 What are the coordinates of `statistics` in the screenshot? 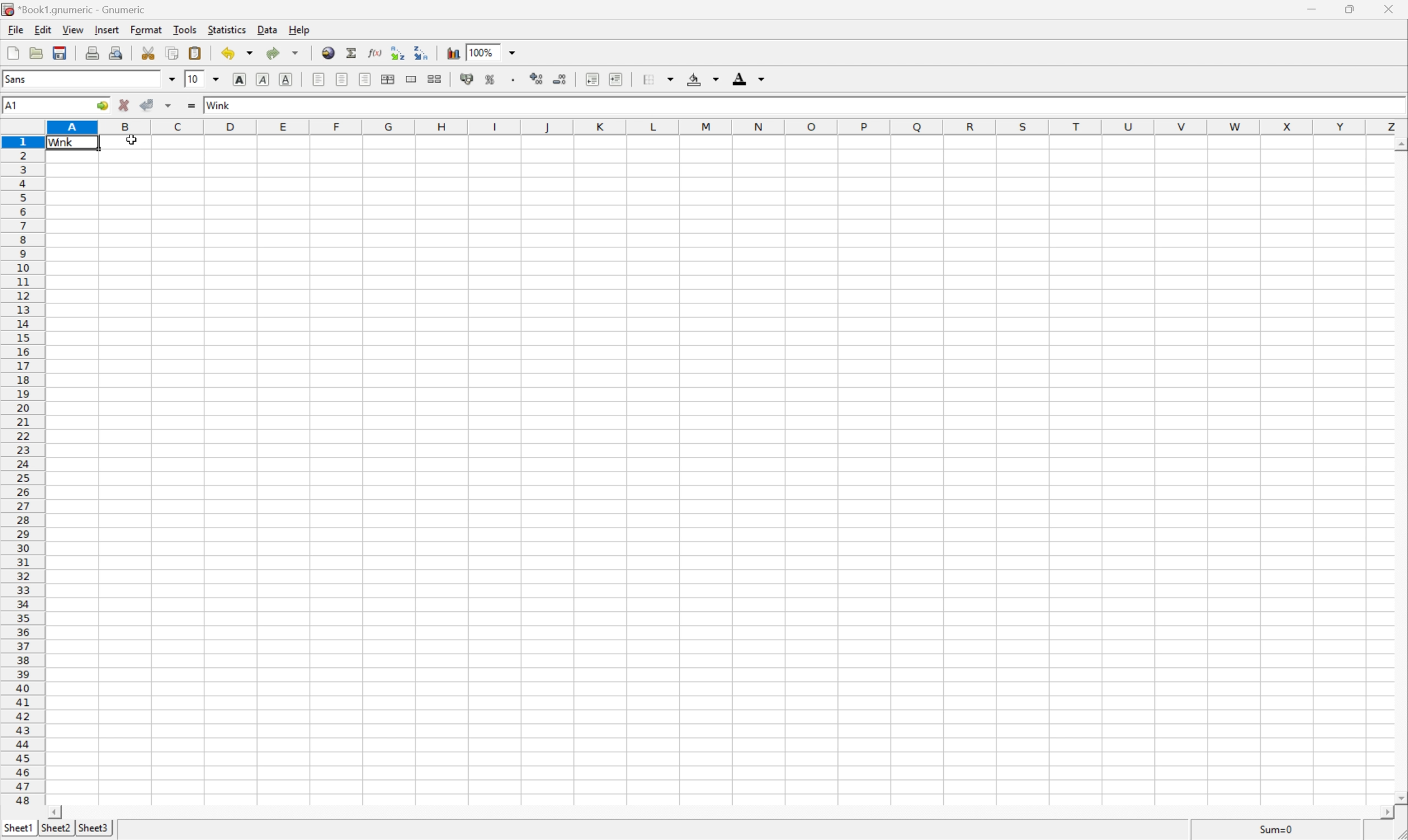 It's located at (225, 31).